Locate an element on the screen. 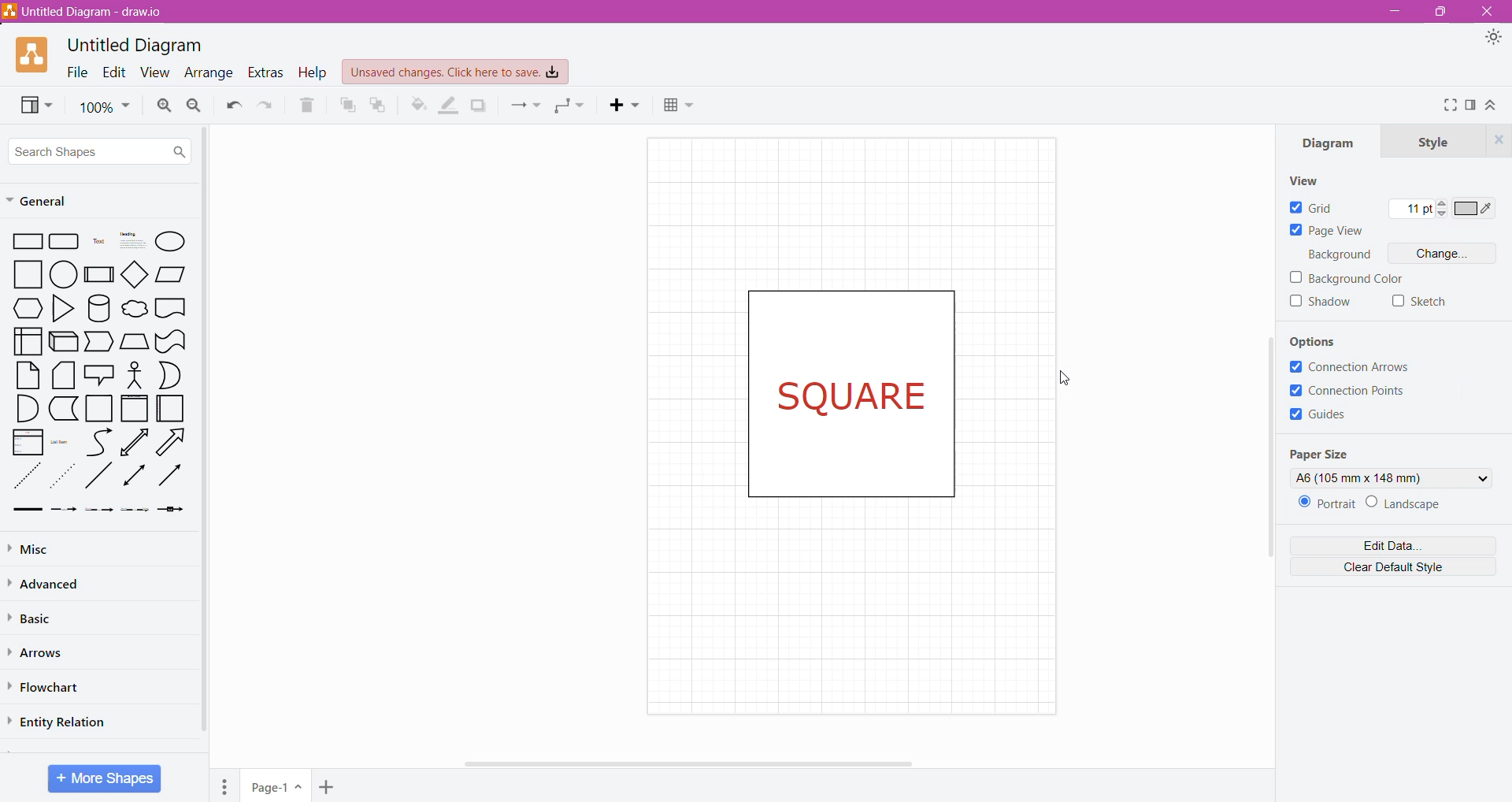  Triangle  is located at coordinates (62, 307).